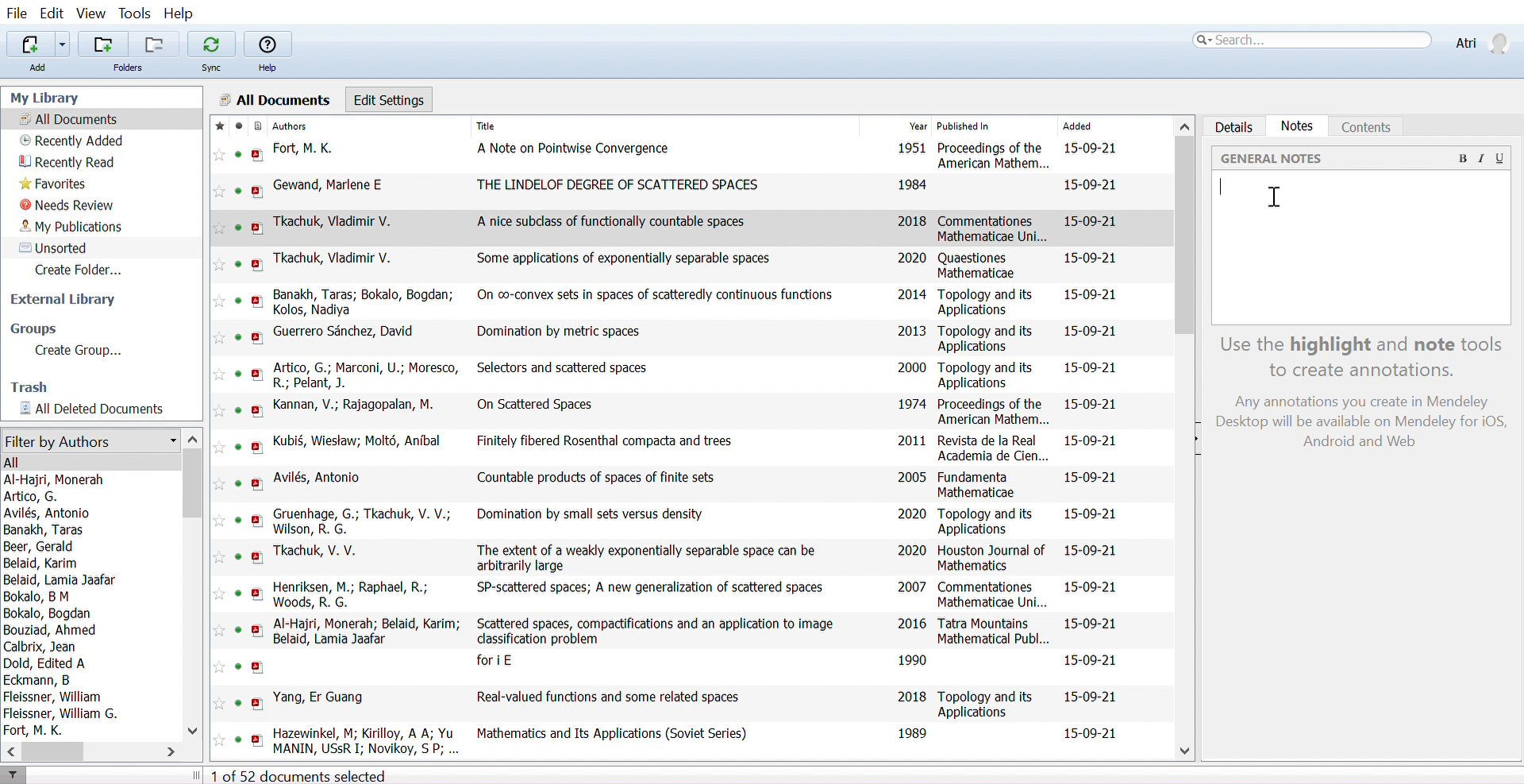 The width and height of the screenshot is (1524, 784). I want to click on Add this reference to favorites, so click(219, 629).